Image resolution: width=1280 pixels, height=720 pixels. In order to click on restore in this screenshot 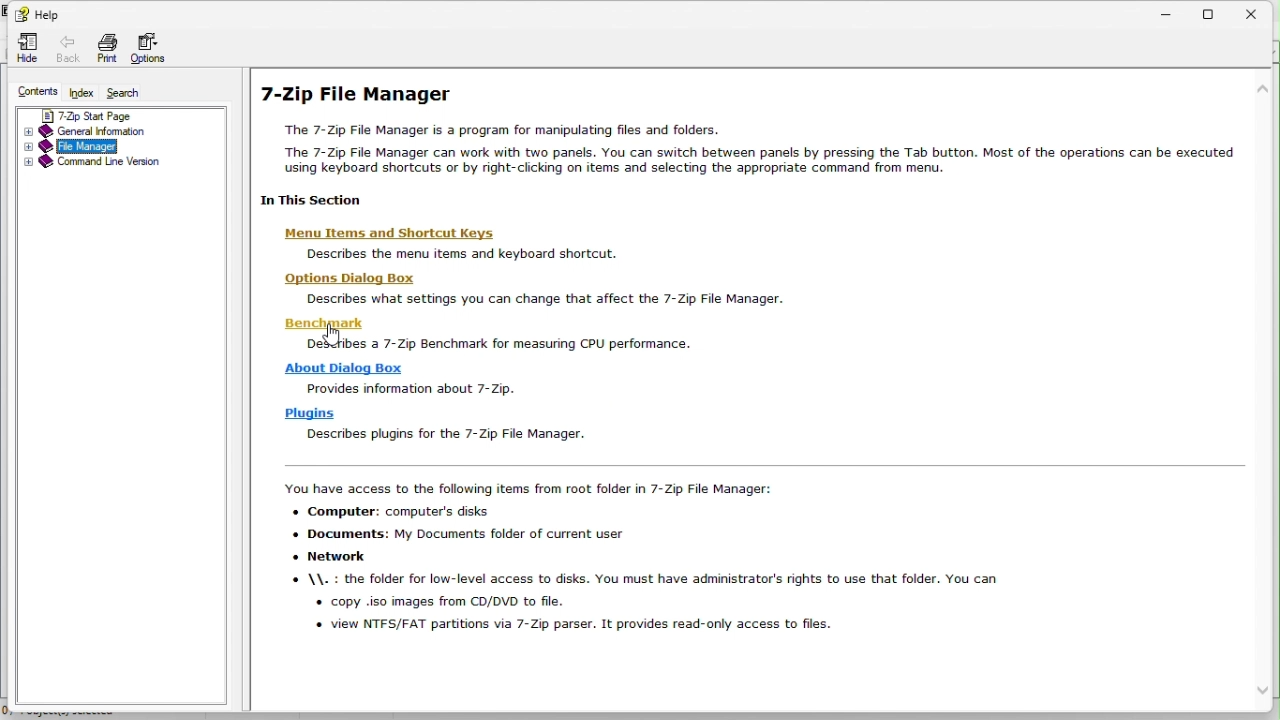, I will do `click(1213, 12)`.